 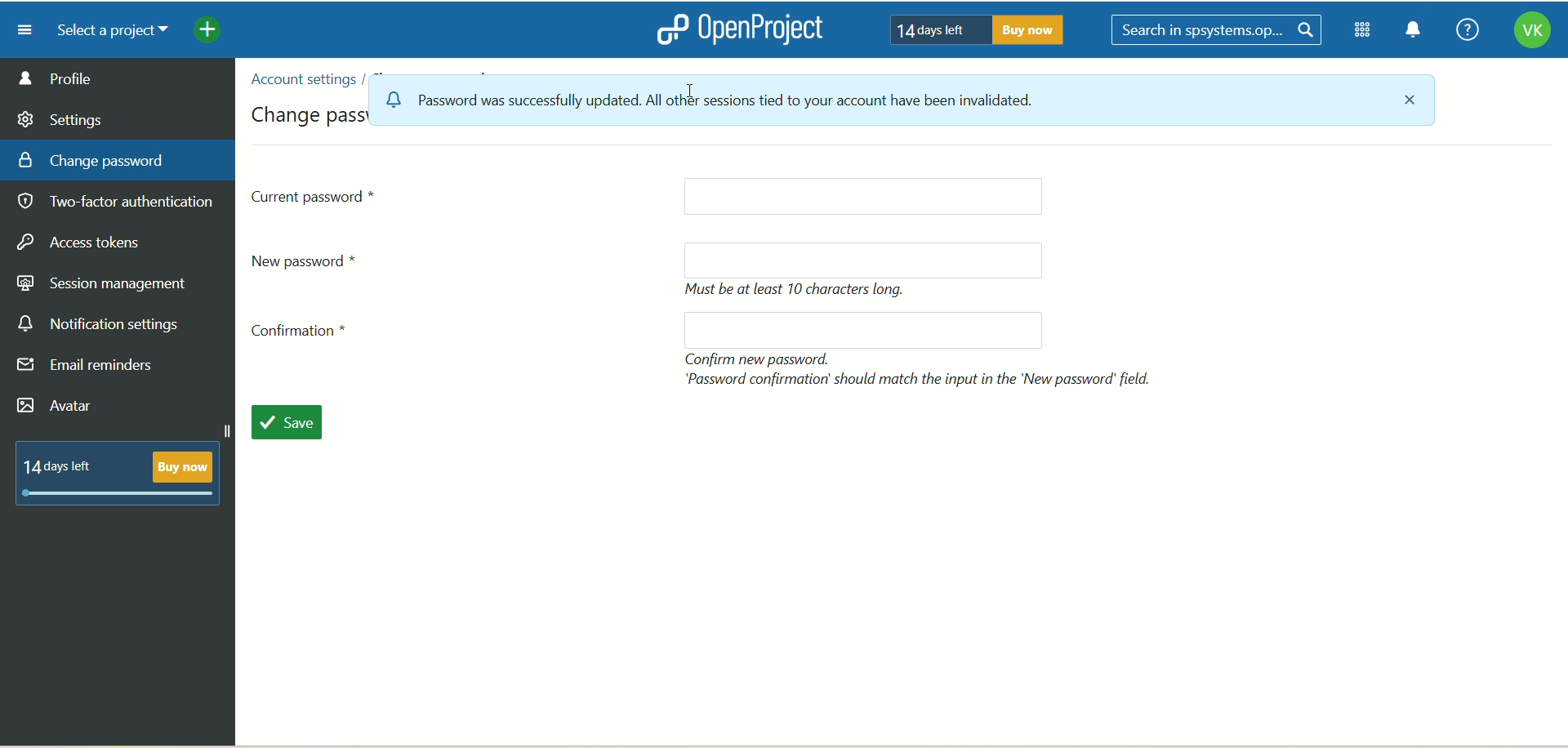 What do you see at coordinates (286, 421) in the screenshot?
I see `save` at bounding box center [286, 421].